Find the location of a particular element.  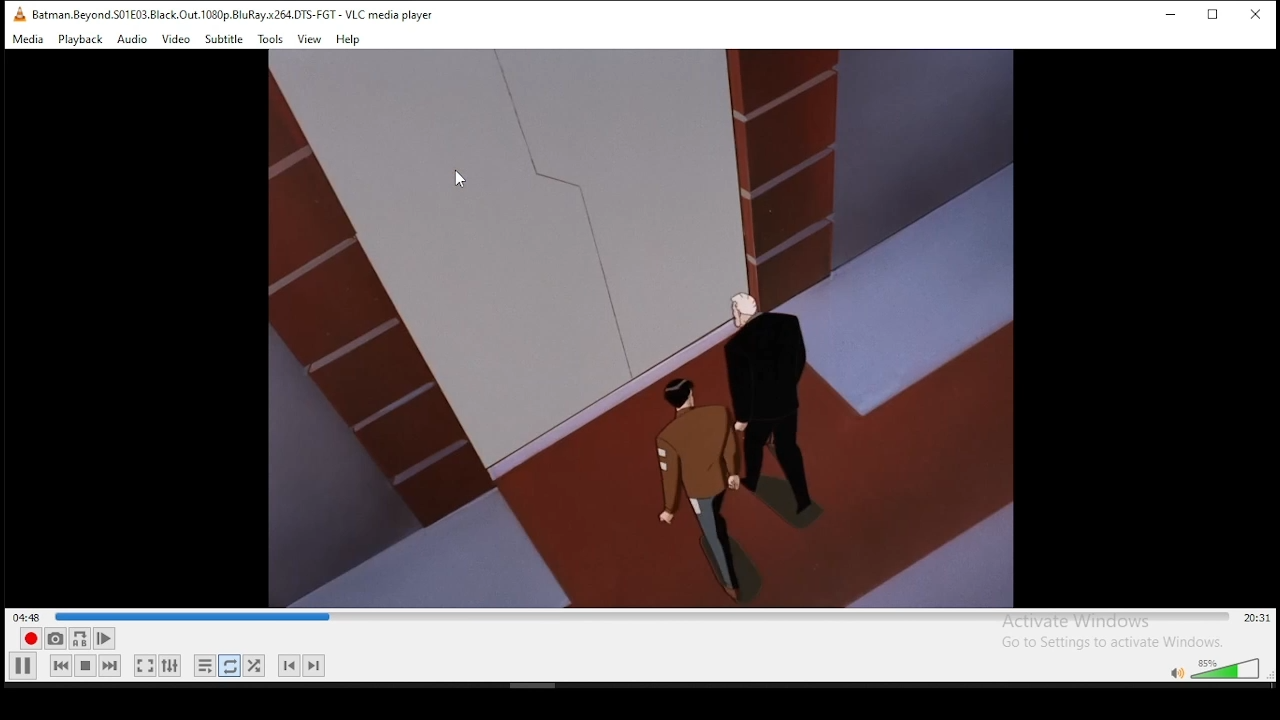

rewind is located at coordinates (61, 667).